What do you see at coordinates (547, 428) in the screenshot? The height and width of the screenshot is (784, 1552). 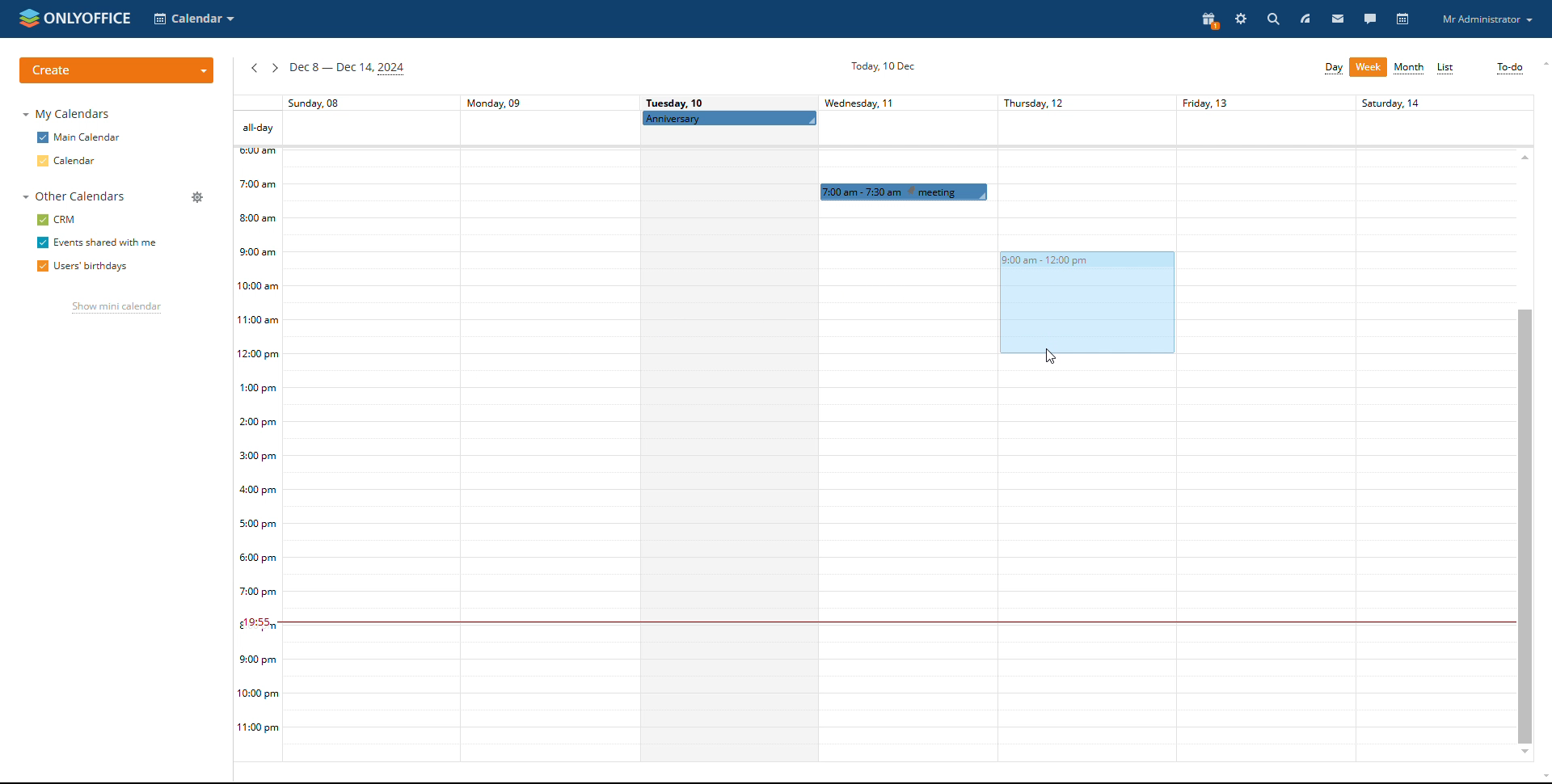 I see `monday` at bounding box center [547, 428].